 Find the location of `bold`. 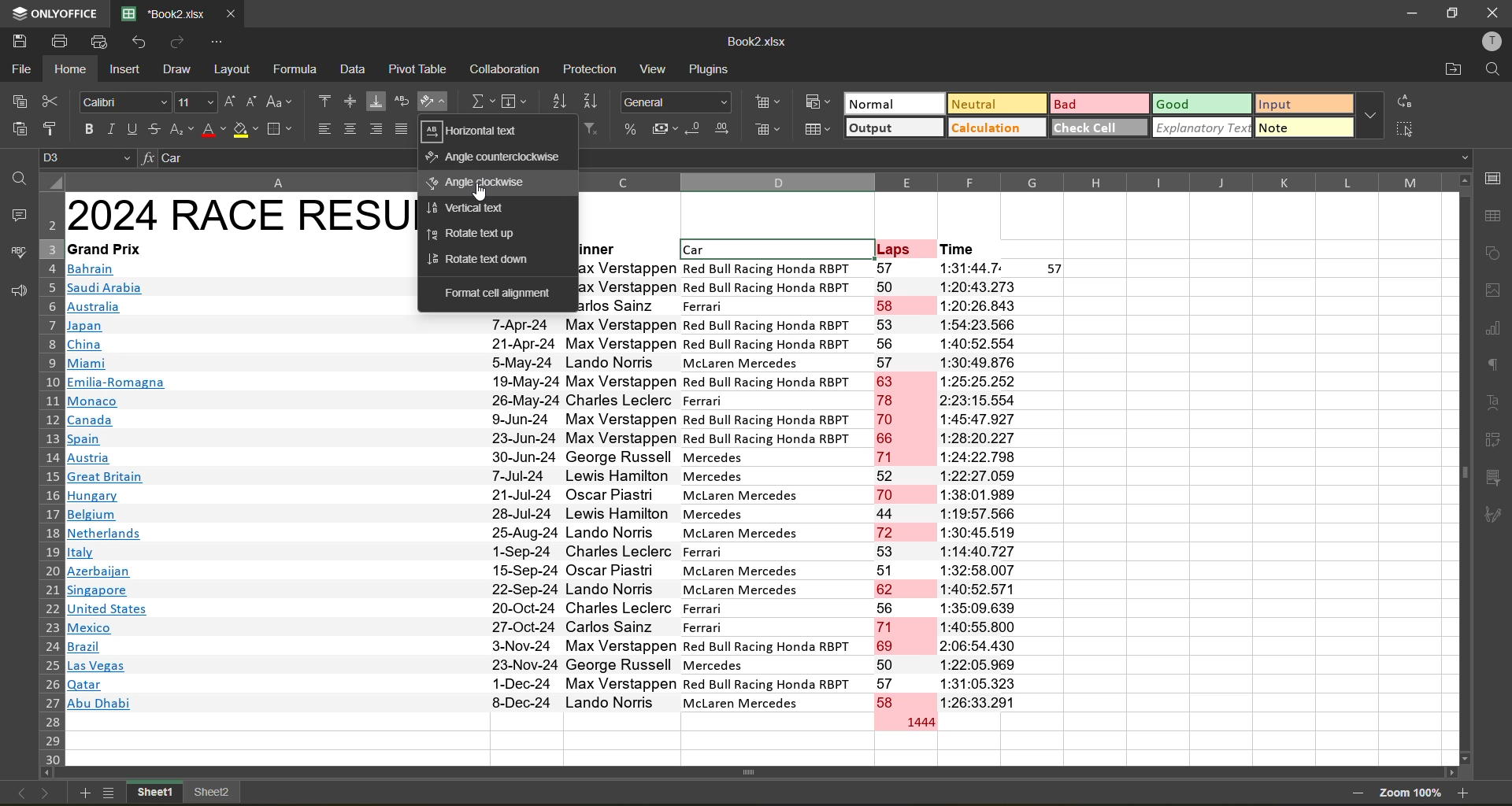

bold is located at coordinates (85, 130).